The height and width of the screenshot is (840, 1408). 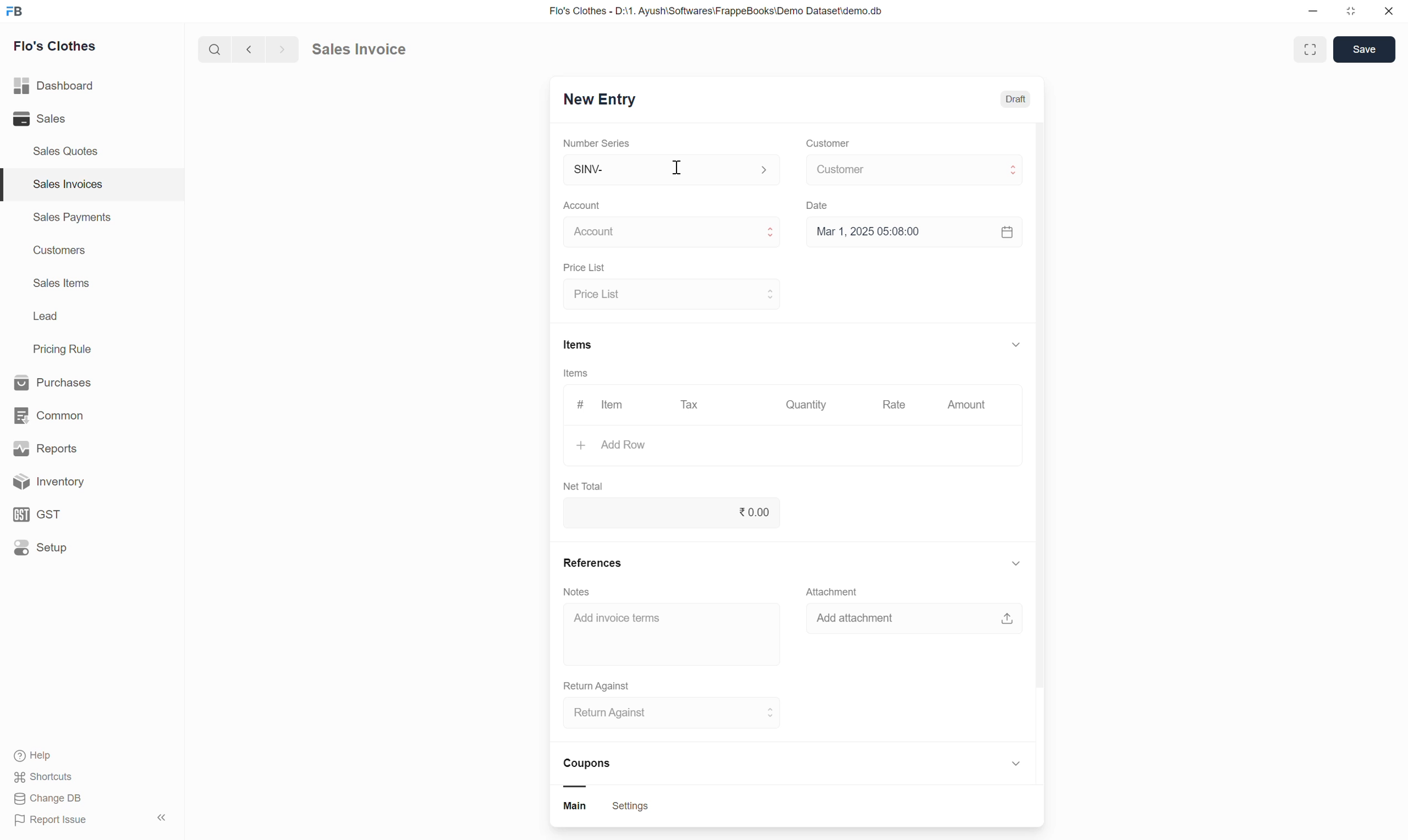 What do you see at coordinates (598, 144) in the screenshot?
I see `Number Series` at bounding box center [598, 144].